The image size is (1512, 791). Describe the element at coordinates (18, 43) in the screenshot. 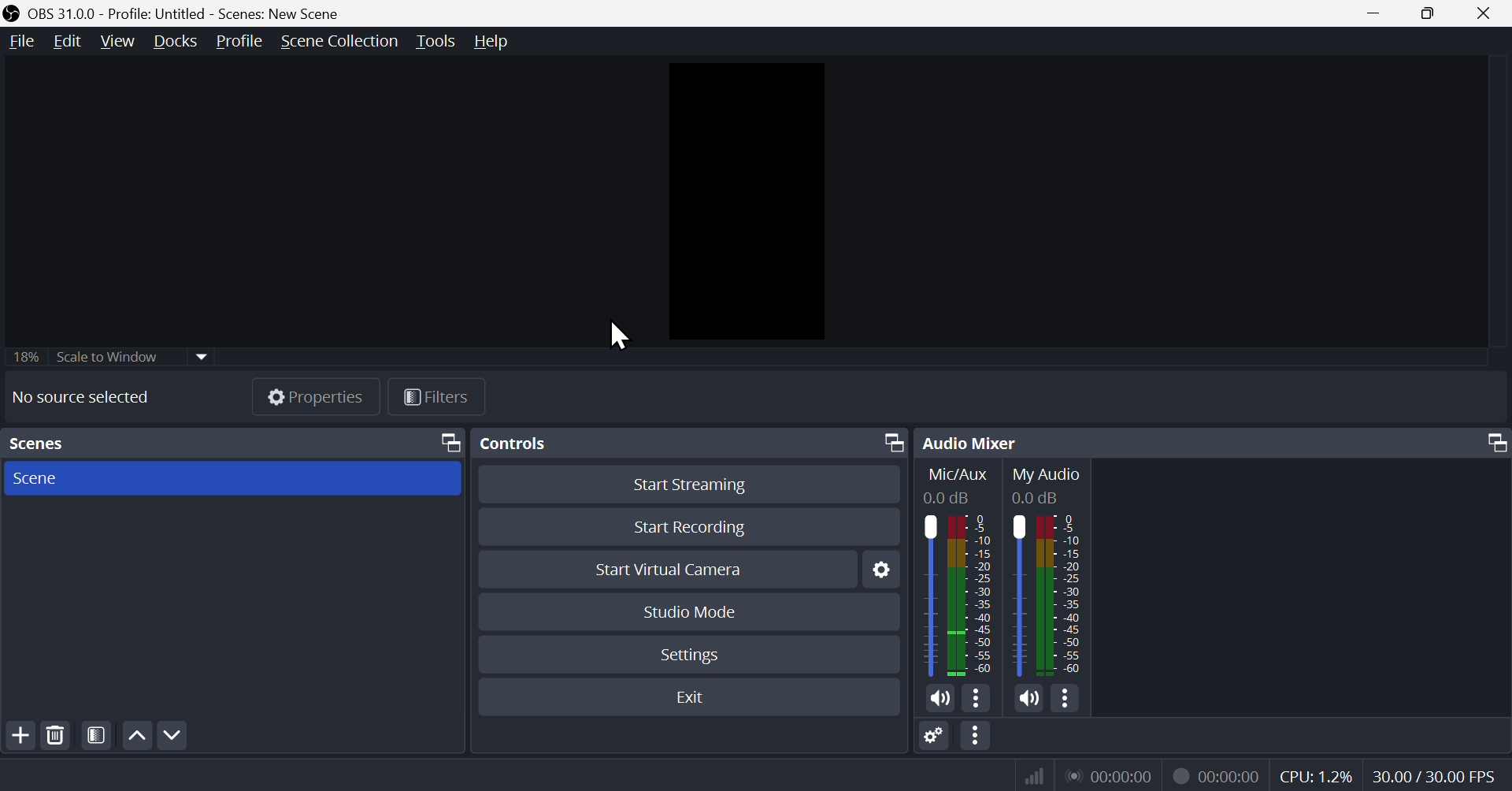

I see `File` at that location.